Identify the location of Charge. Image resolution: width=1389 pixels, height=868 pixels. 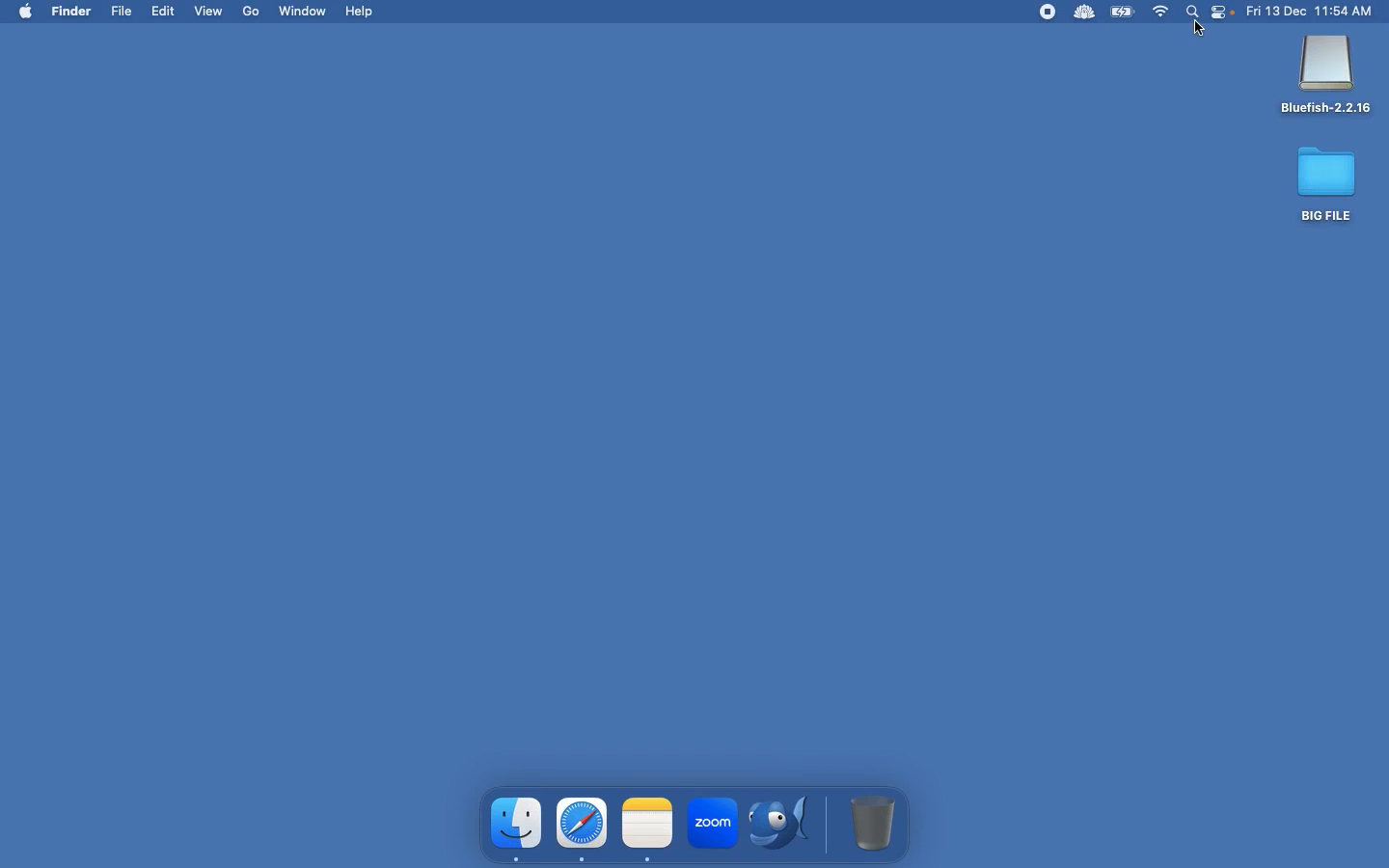
(1122, 14).